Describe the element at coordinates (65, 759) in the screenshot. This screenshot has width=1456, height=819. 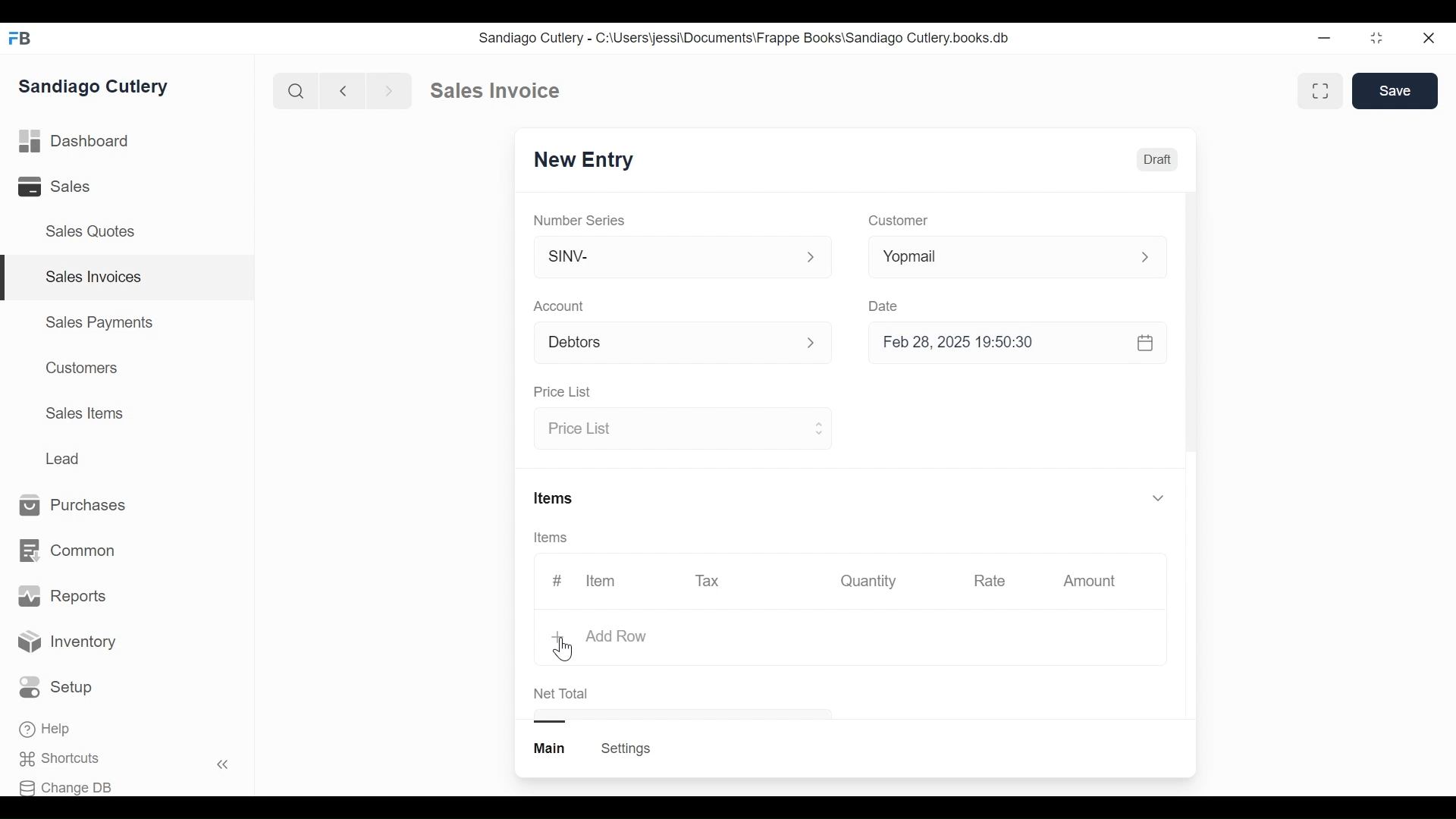
I see `Shortcuts` at that location.